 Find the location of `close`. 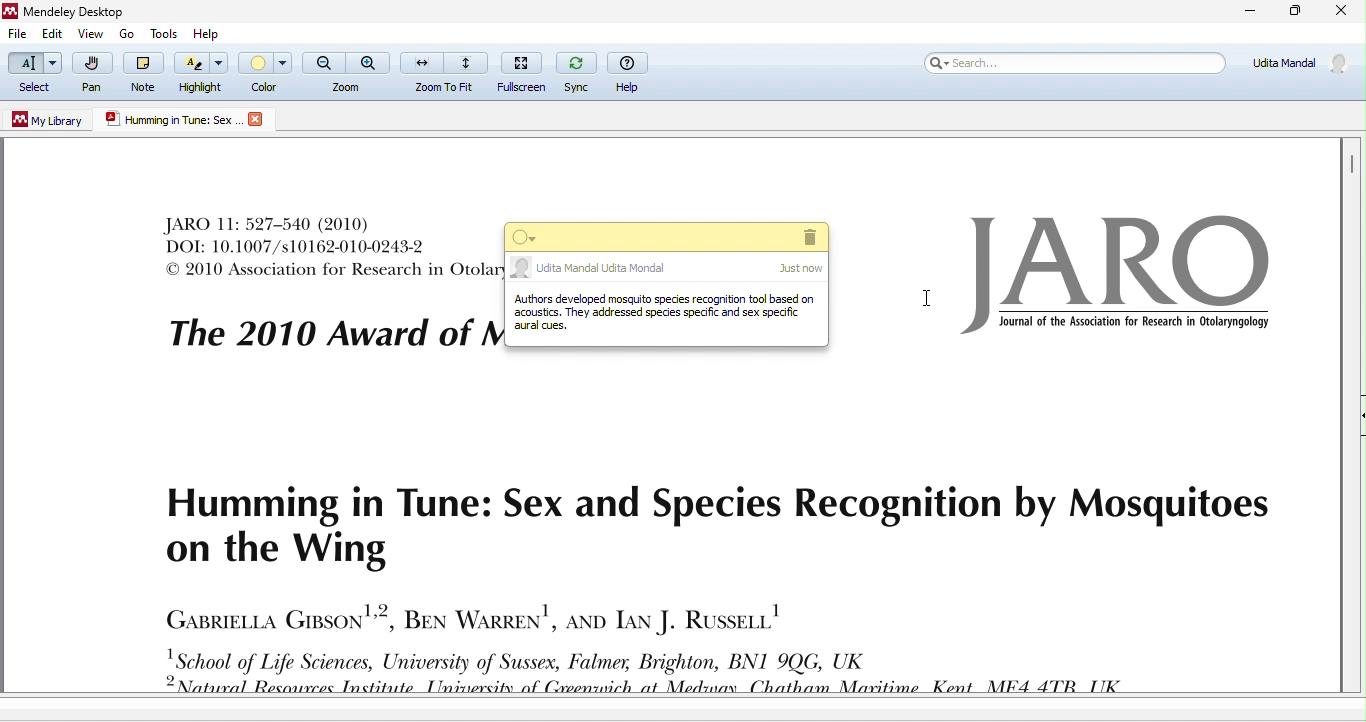

close is located at coordinates (1340, 12).